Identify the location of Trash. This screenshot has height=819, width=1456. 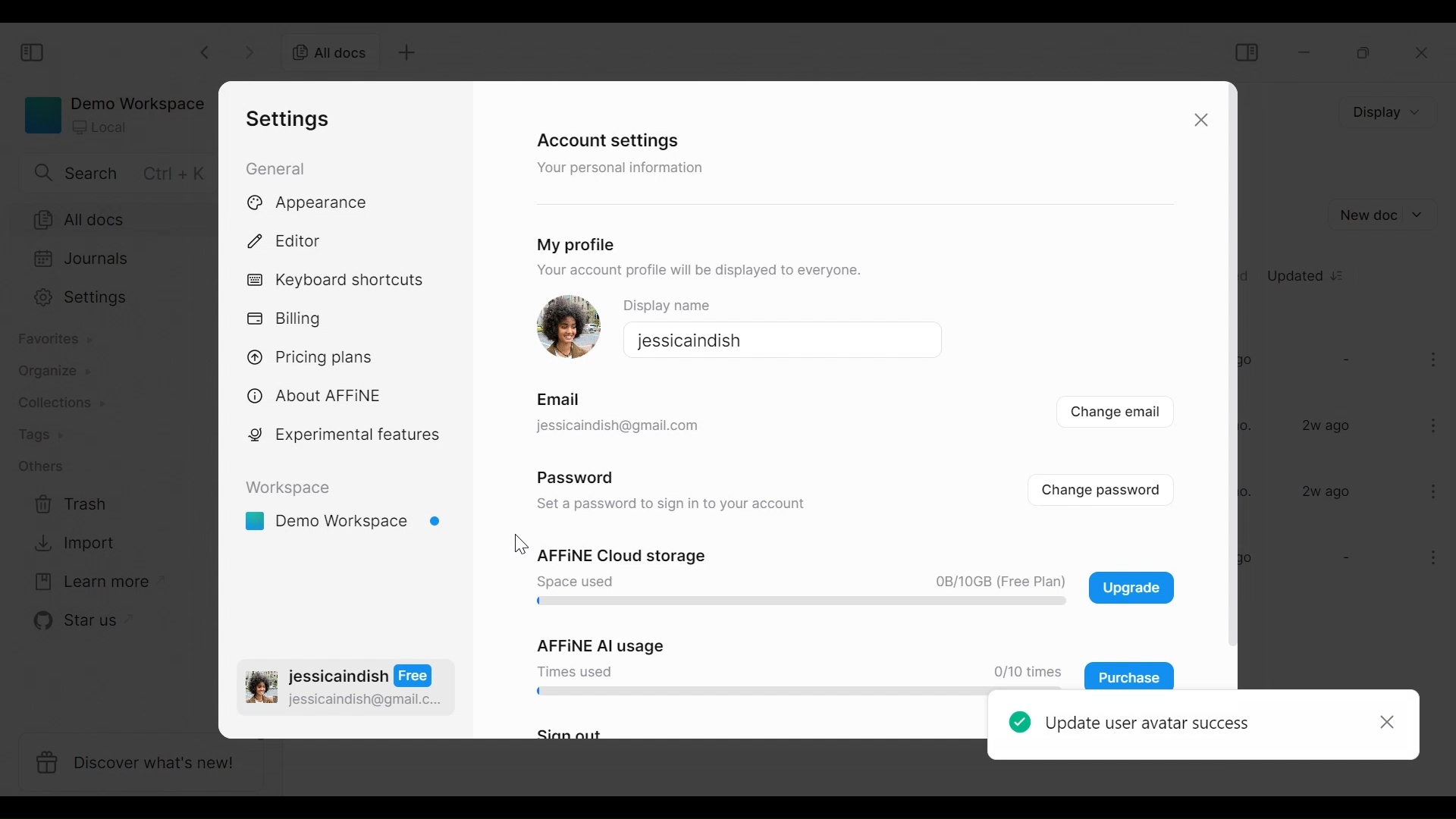
(67, 504).